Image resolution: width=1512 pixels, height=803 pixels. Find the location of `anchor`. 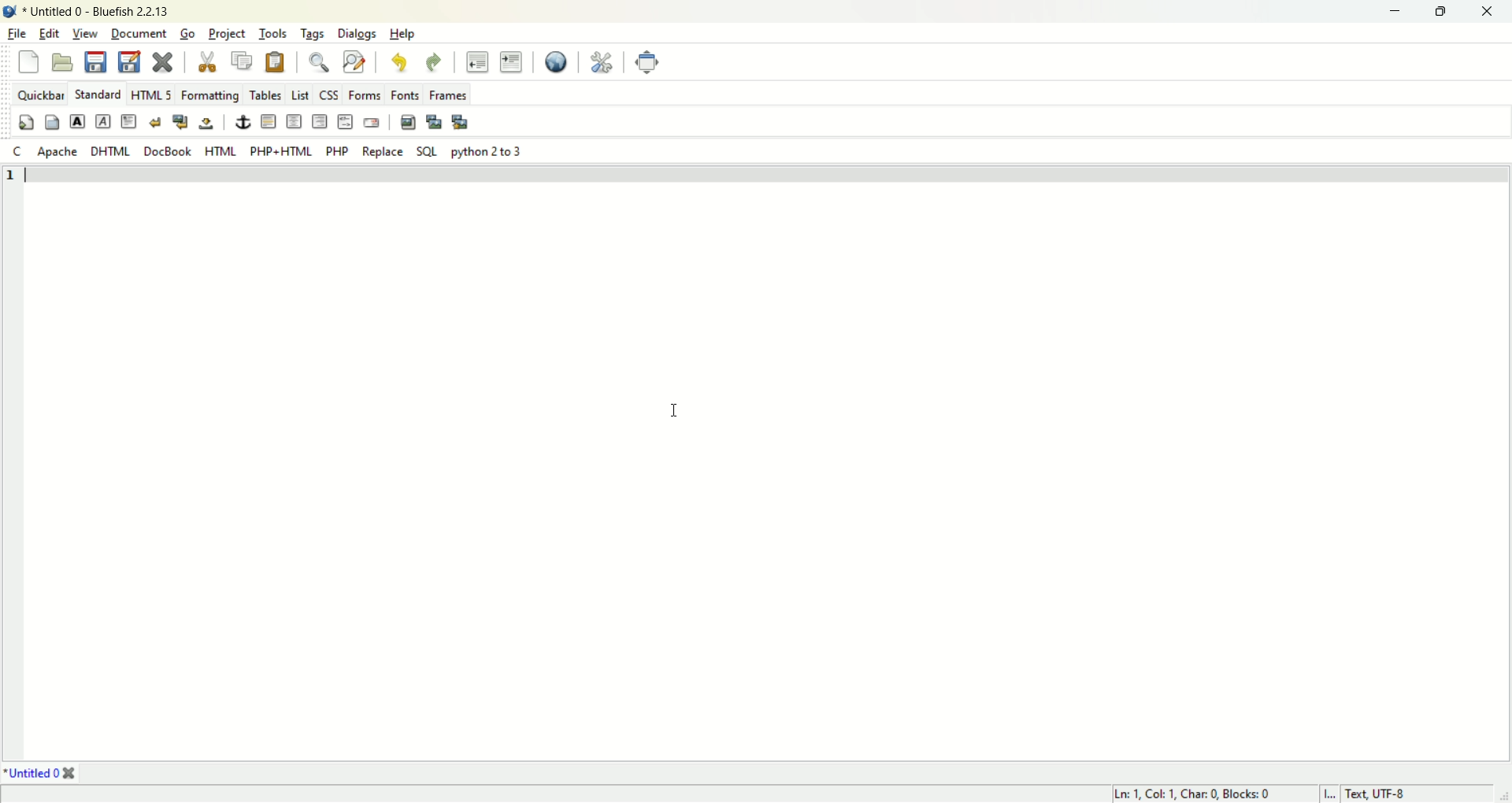

anchor is located at coordinates (240, 123).